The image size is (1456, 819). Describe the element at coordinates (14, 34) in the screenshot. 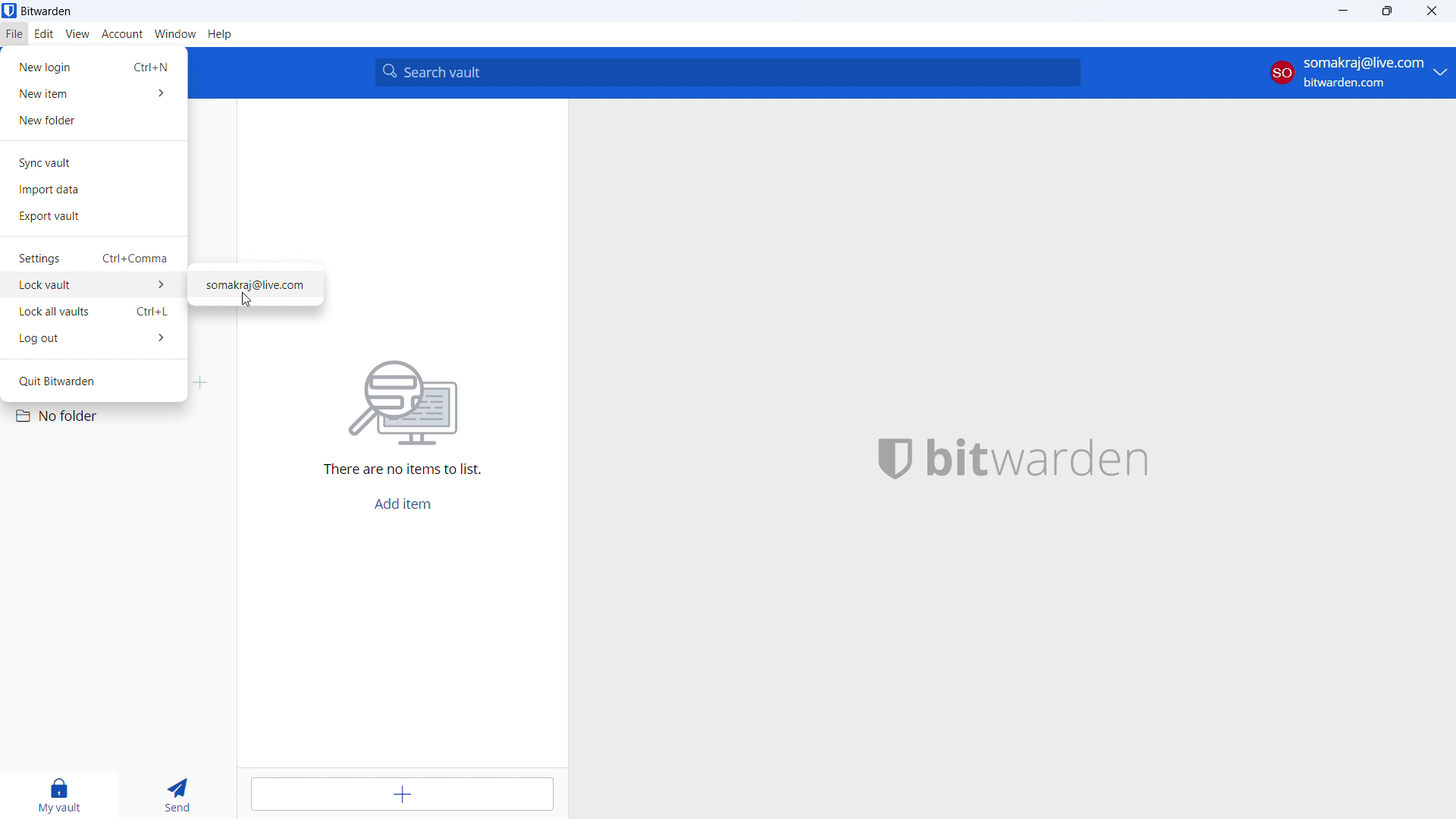

I see `file` at that location.